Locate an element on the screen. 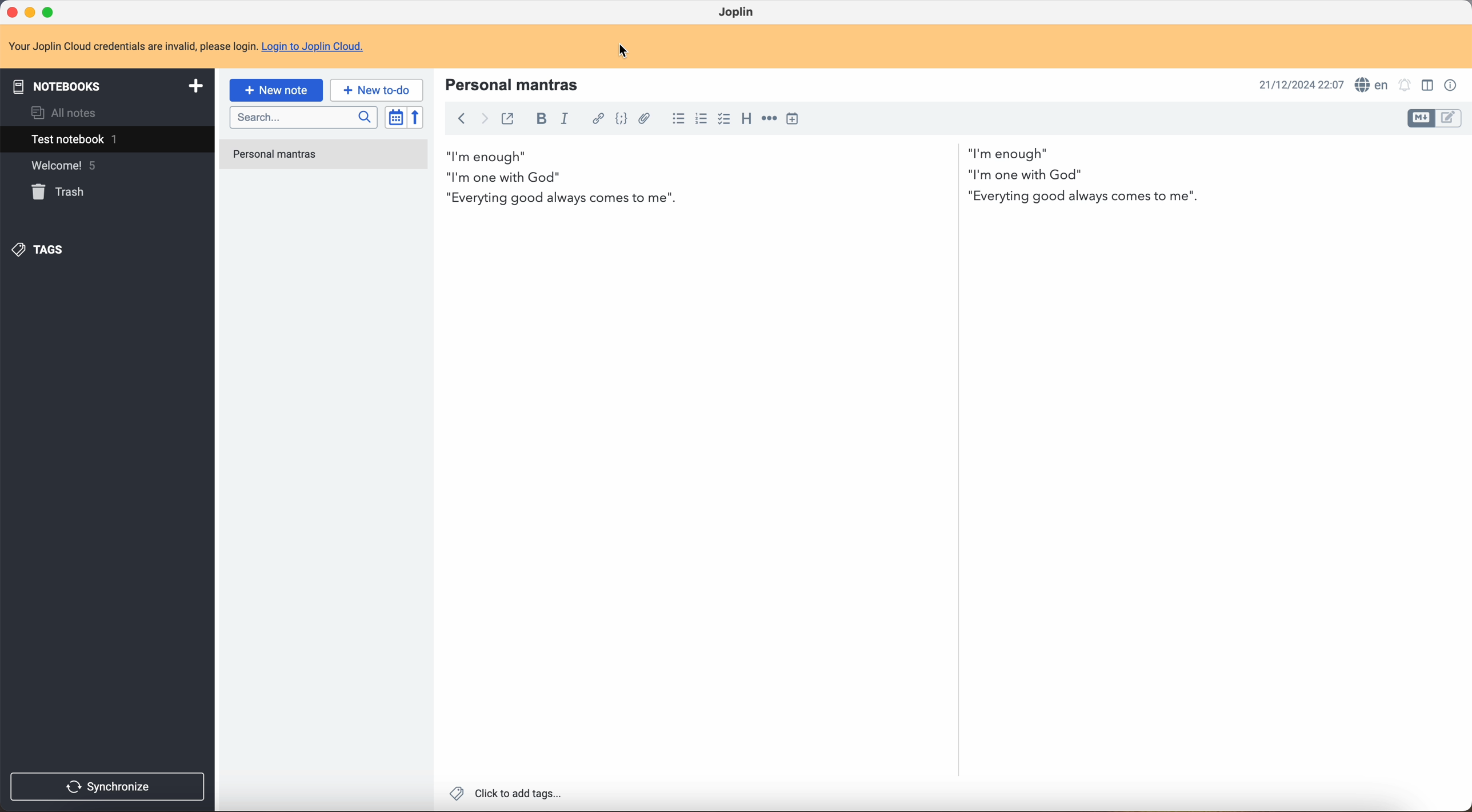  body text is located at coordinates (693, 460).